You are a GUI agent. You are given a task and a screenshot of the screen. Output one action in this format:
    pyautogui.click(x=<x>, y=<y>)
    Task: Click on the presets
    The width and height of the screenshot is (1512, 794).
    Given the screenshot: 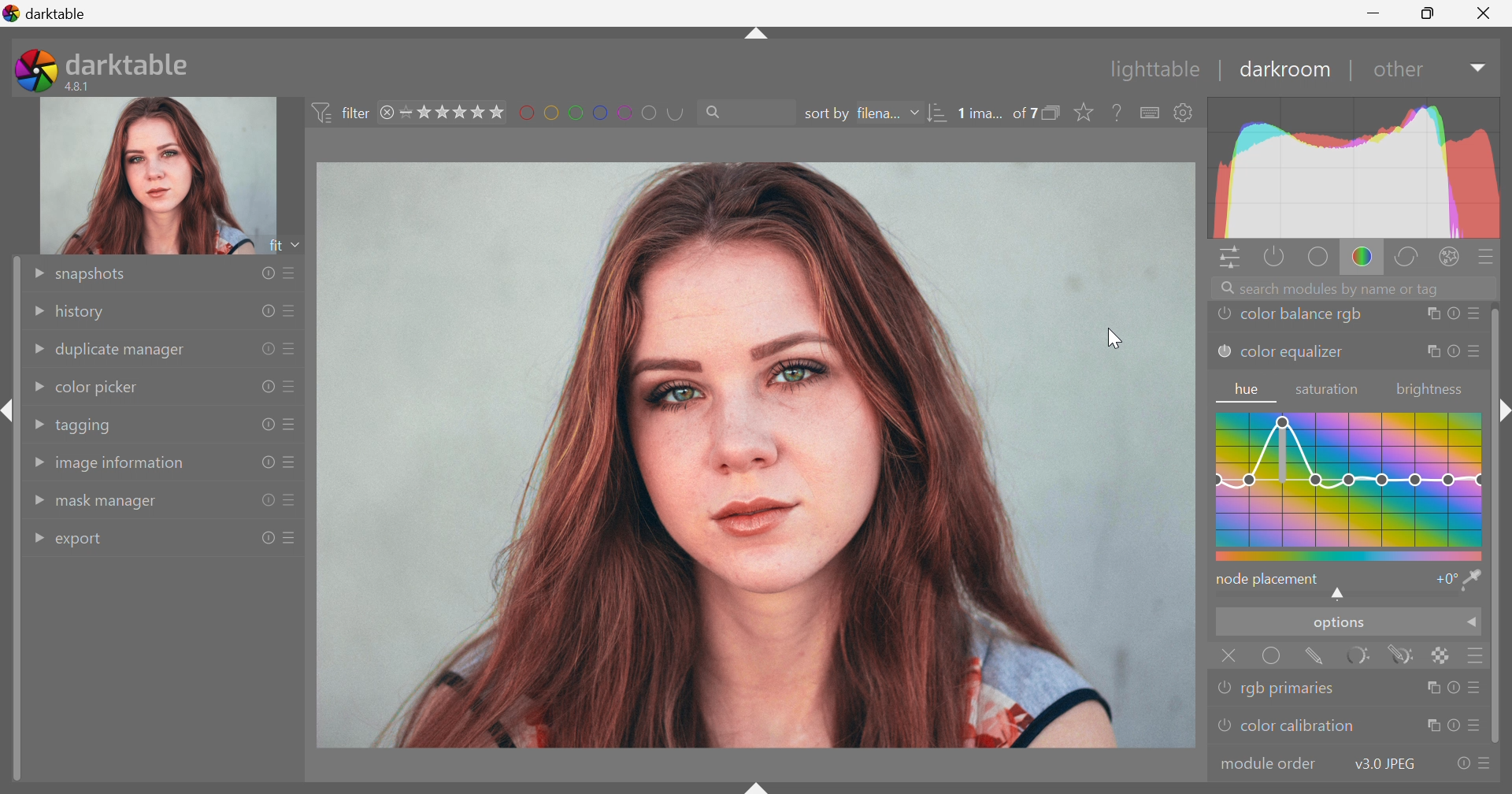 What is the action you would take?
    pyautogui.click(x=1475, y=314)
    